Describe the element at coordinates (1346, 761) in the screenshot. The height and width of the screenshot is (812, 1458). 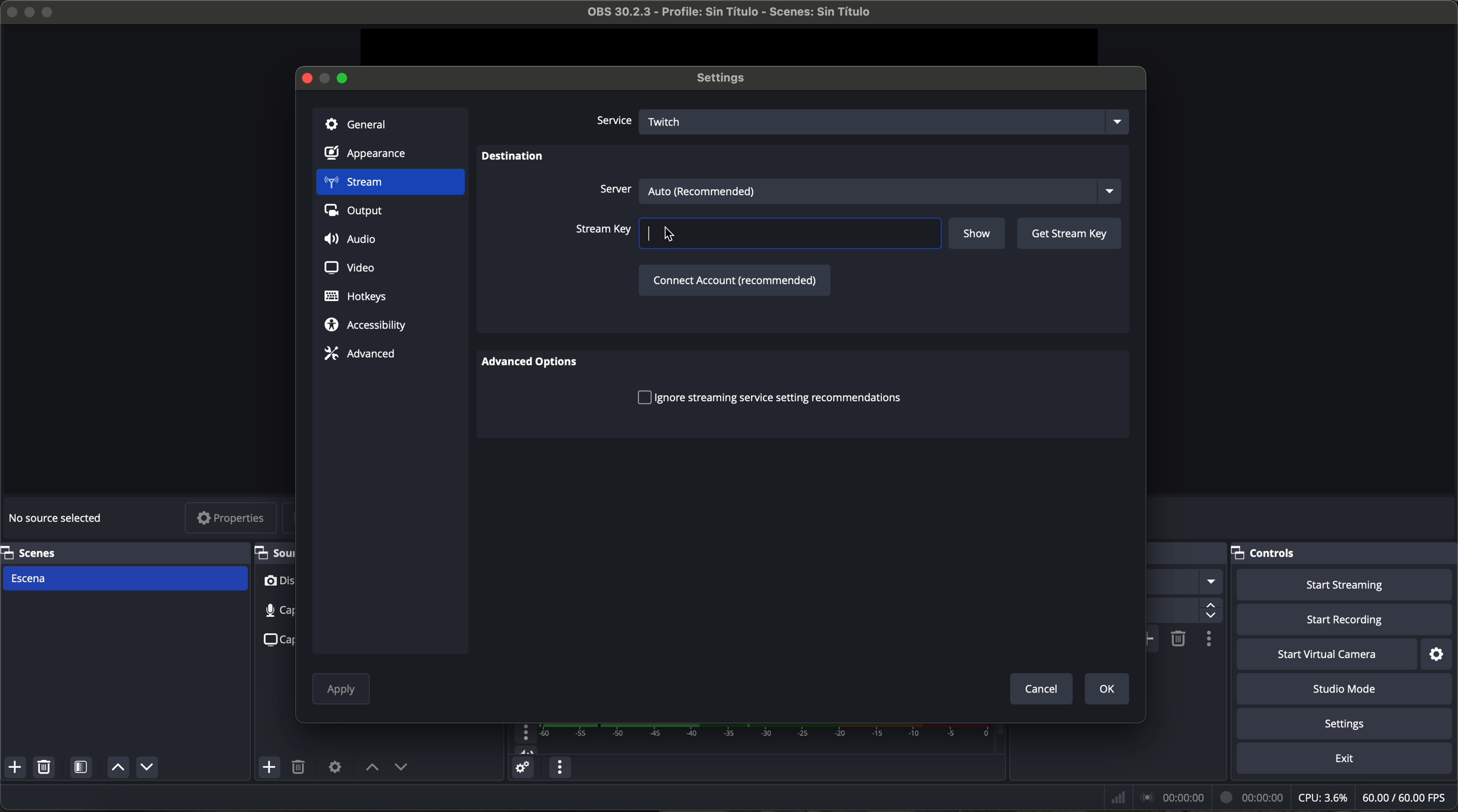
I see `exit` at that location.